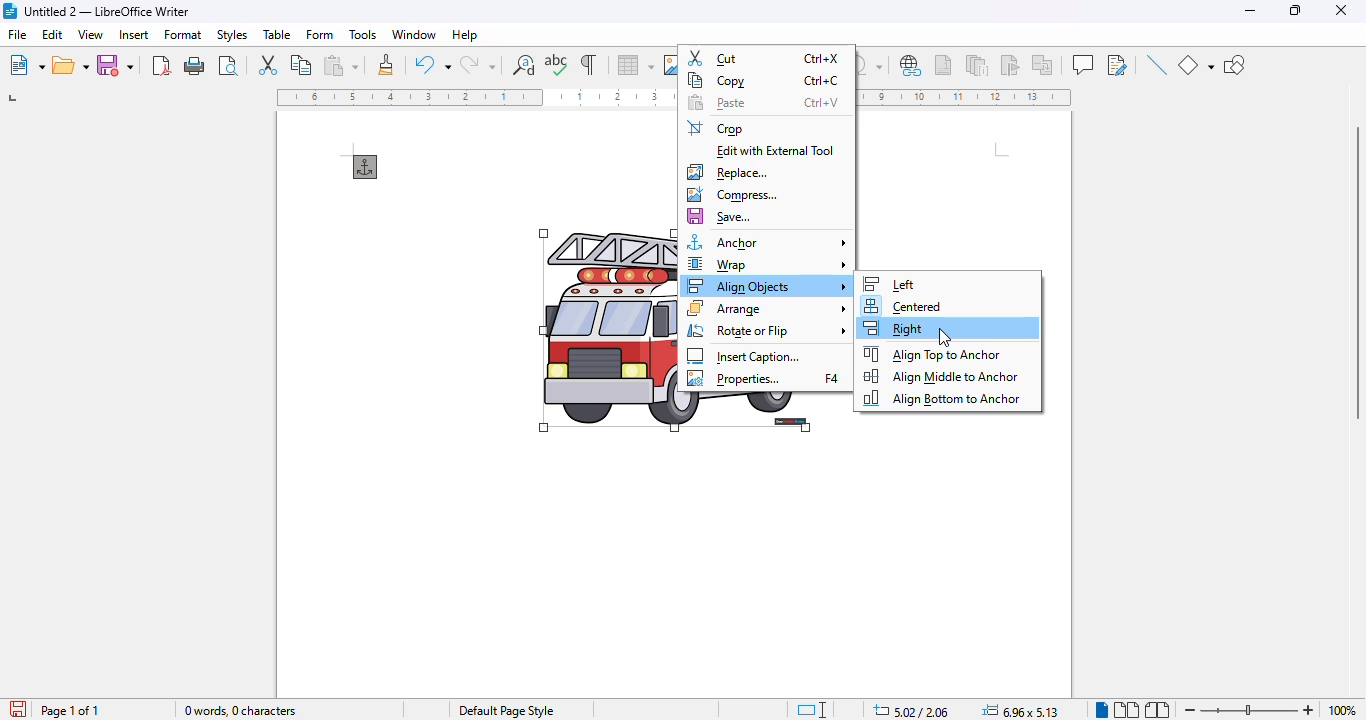 The image size is (1366, 720). What do you see at coordinates (386, 64) in the screenshot?
I see `clone formatting` at bounding box center [386, 64].